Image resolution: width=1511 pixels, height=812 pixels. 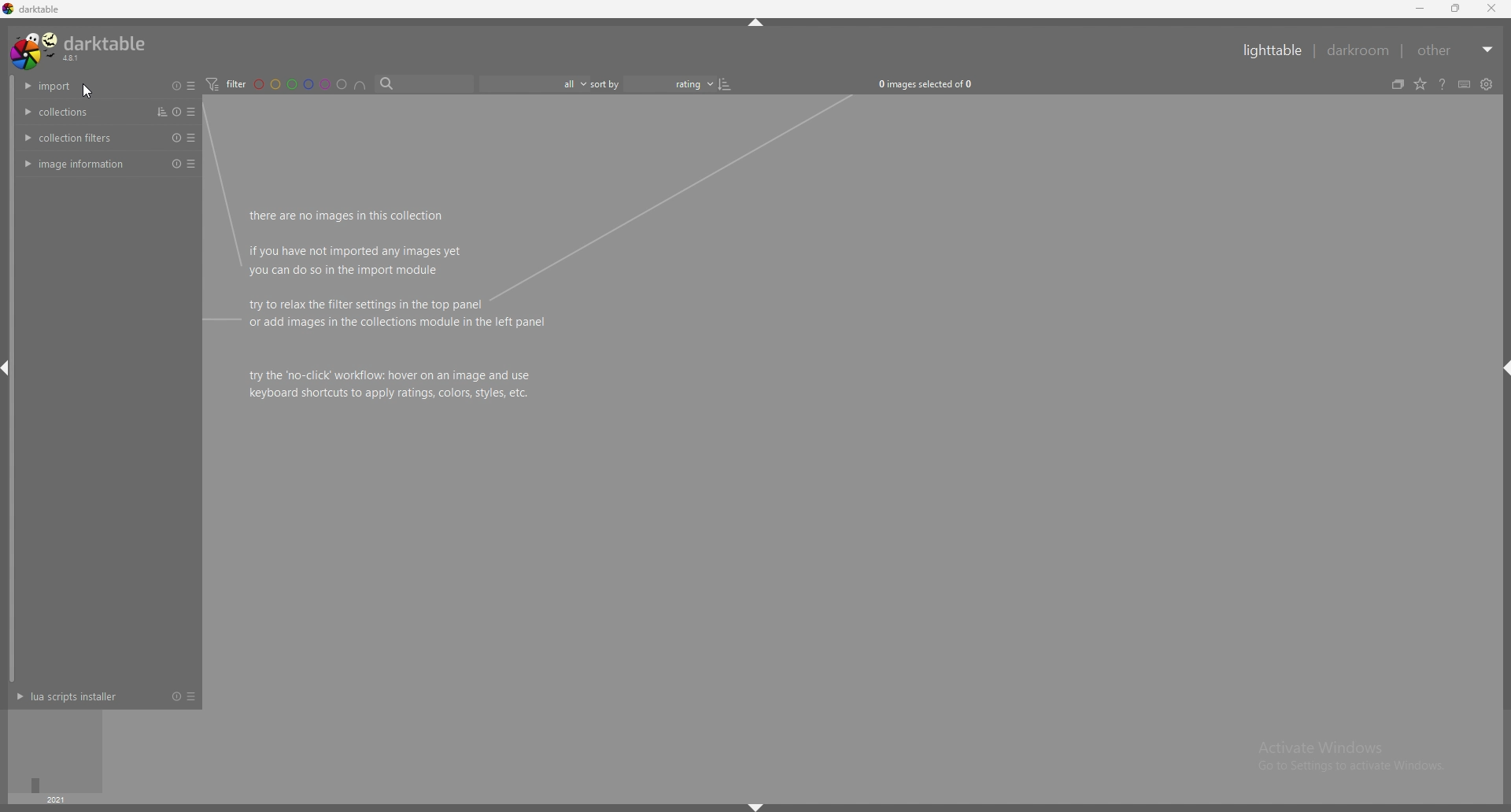 I want to click on other, so click(x=1456, y=50).